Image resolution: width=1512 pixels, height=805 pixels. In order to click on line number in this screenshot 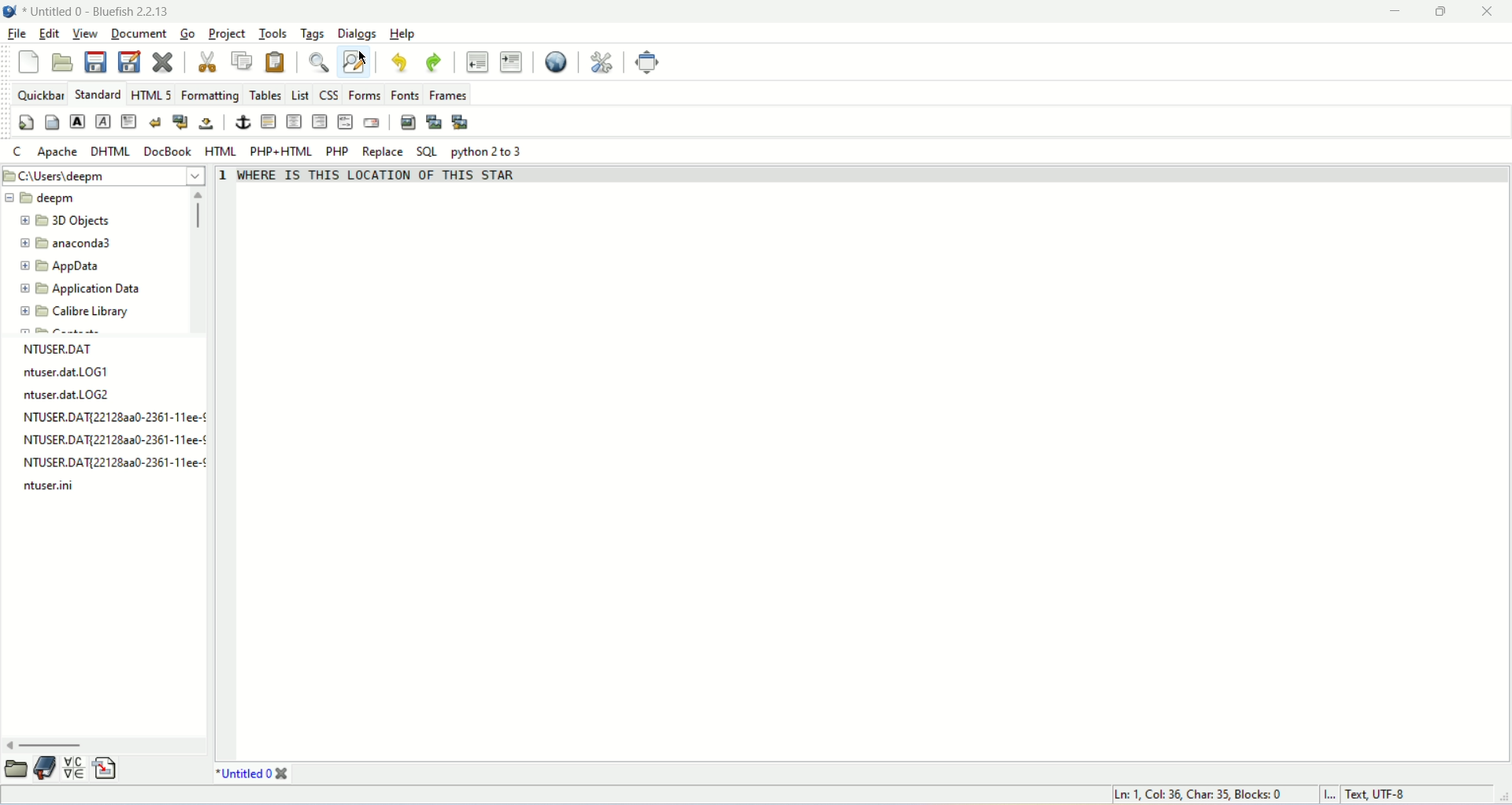, I will do `click(226, 466)`.